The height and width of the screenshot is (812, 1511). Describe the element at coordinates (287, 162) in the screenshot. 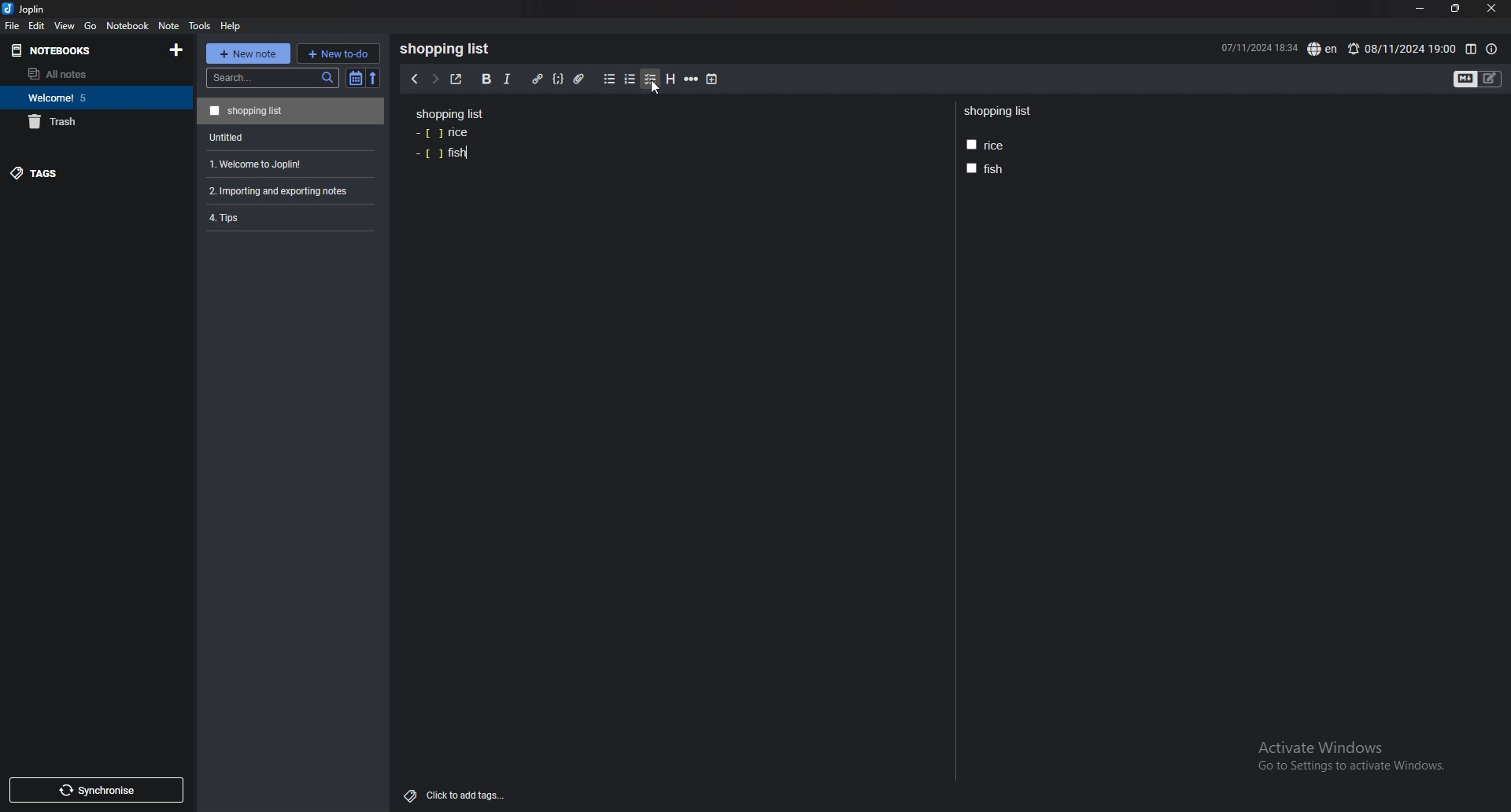

I see `1. Welcome to Joplin!` at that location.